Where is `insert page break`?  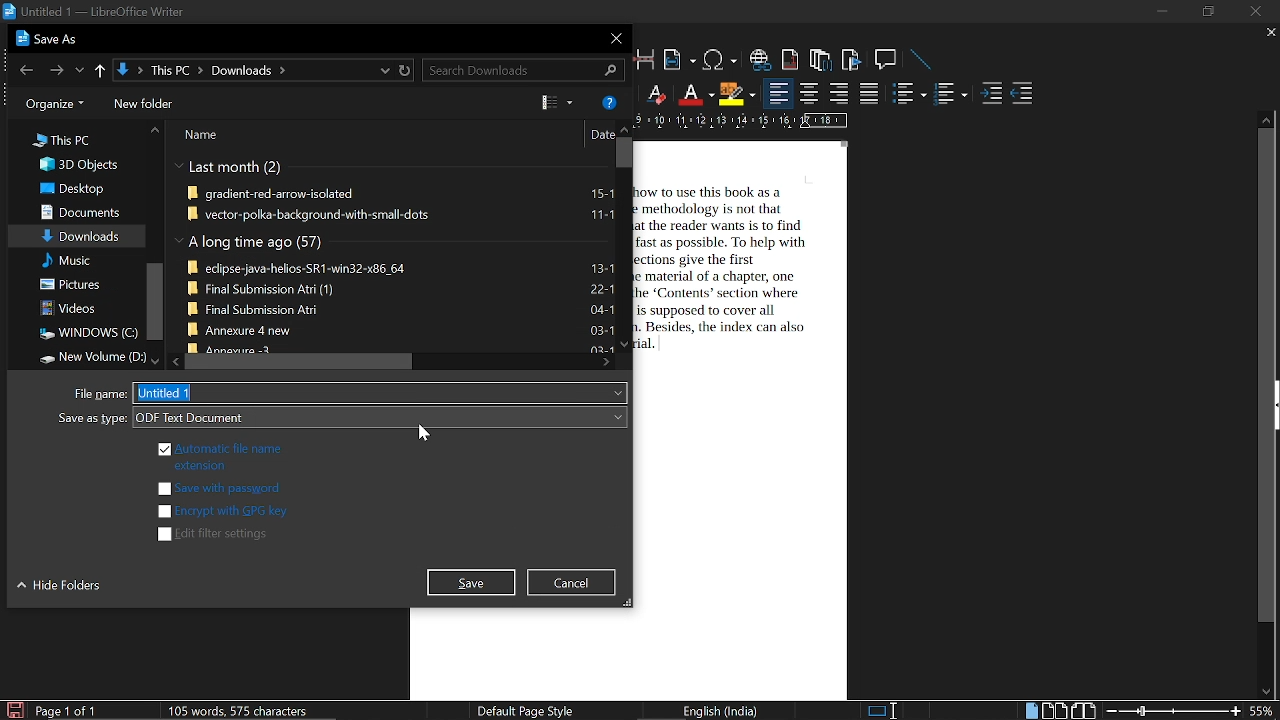
insert page break is located at coordinates (646, 59).